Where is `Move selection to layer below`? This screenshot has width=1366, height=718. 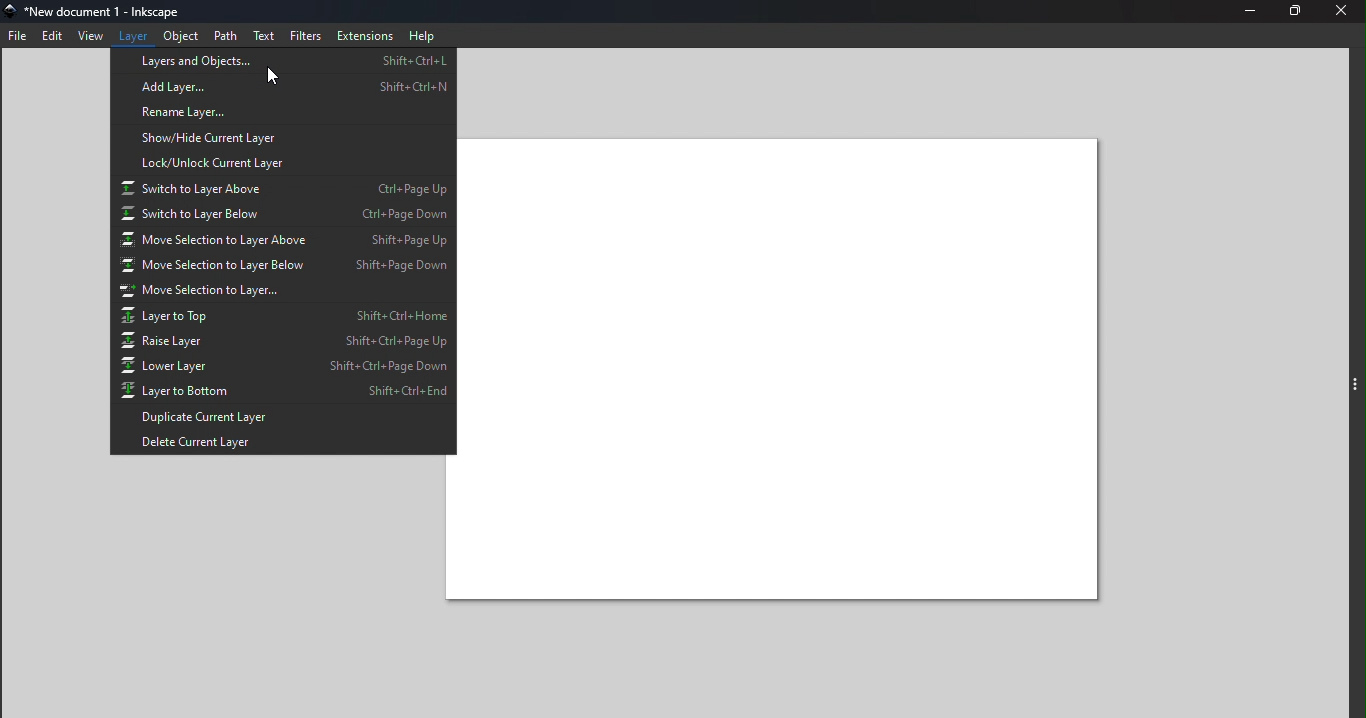
Move selection to layer below is located at coordinates (282, 266).